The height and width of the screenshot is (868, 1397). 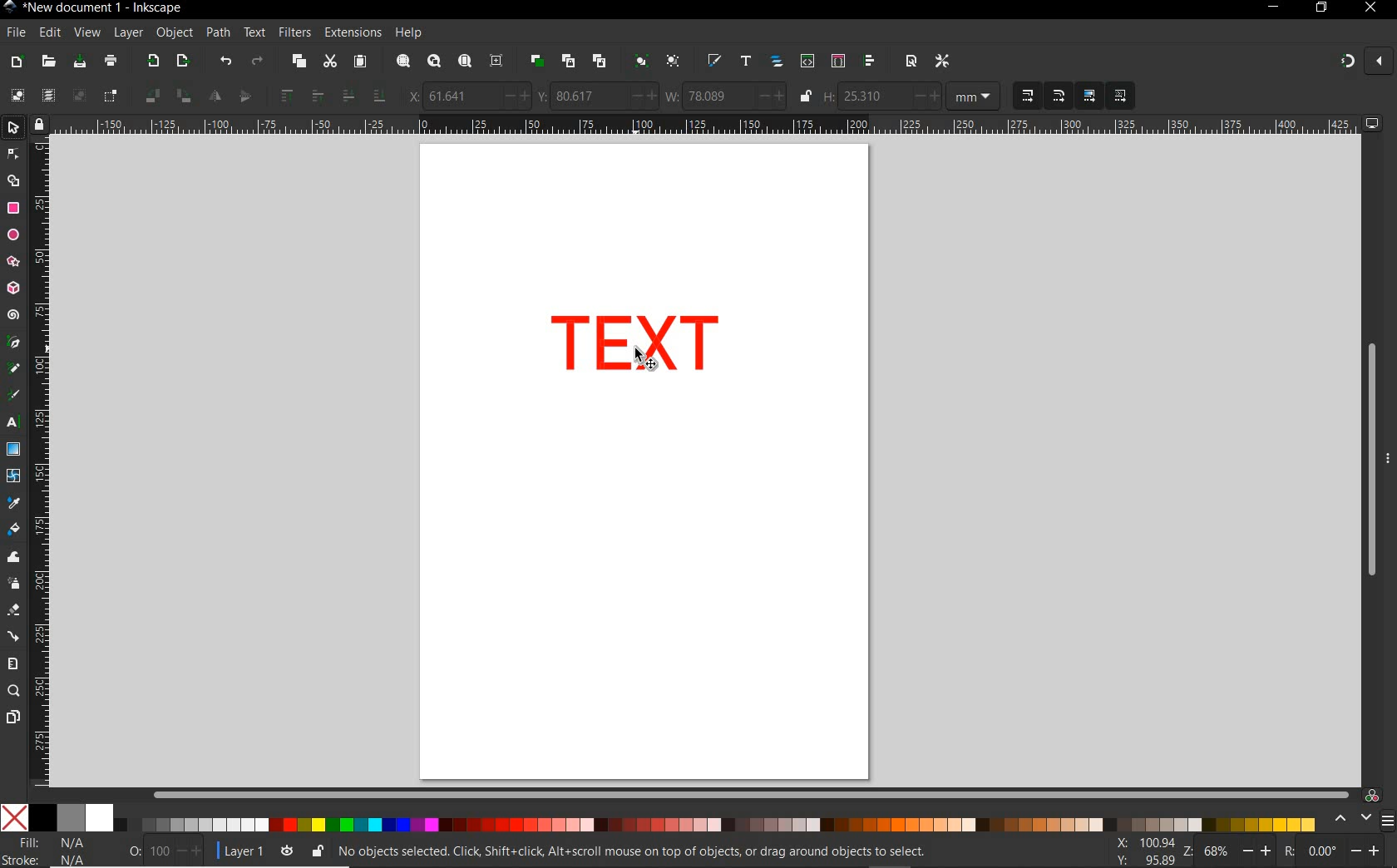 I want to click on ungroup, so click(x=673, y=62).